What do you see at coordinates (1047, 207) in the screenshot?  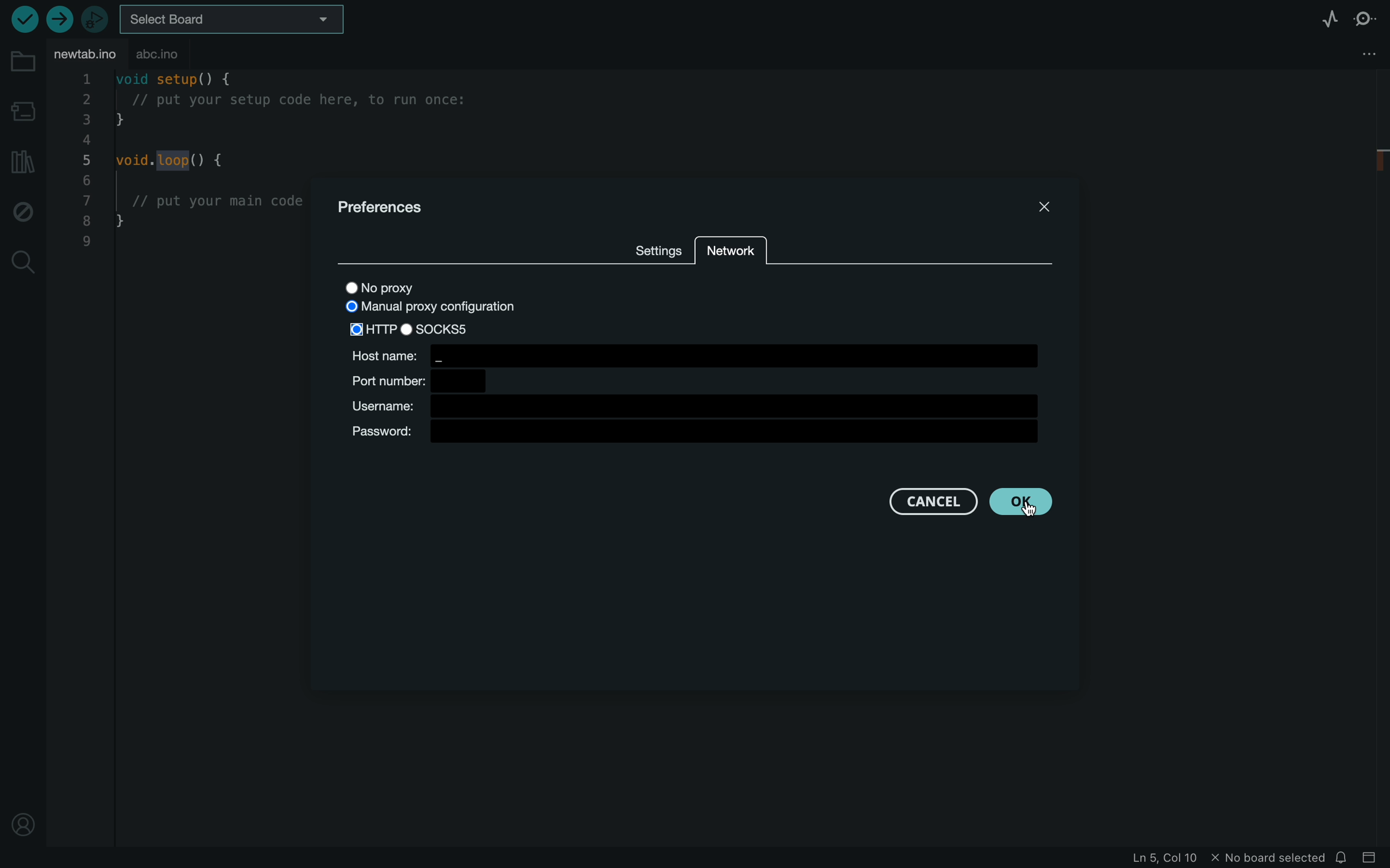 I see `CLOSE` at bounding box center [1047, 207].